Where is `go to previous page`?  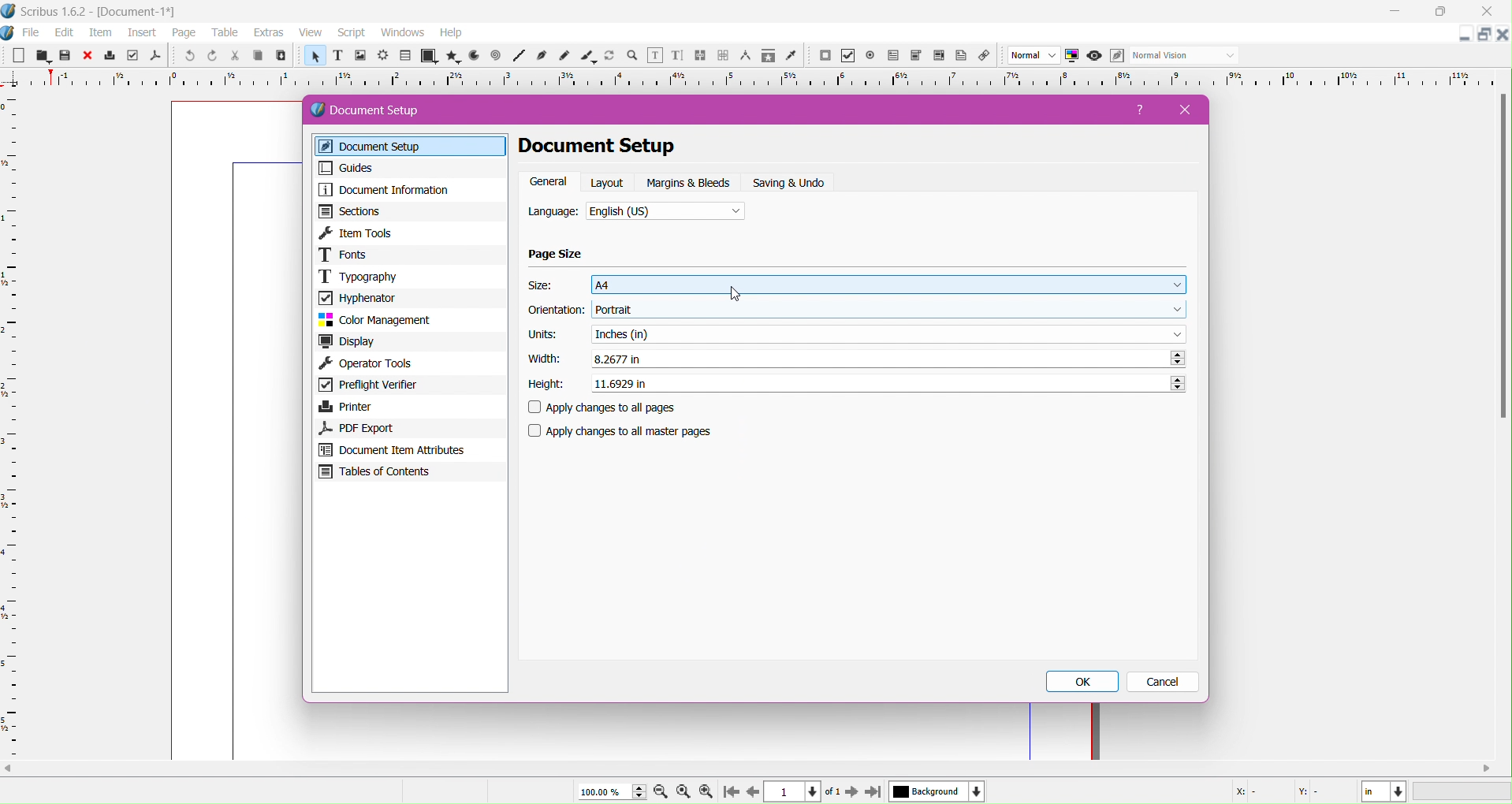
go to previous page is located at coordinates (753, 792).